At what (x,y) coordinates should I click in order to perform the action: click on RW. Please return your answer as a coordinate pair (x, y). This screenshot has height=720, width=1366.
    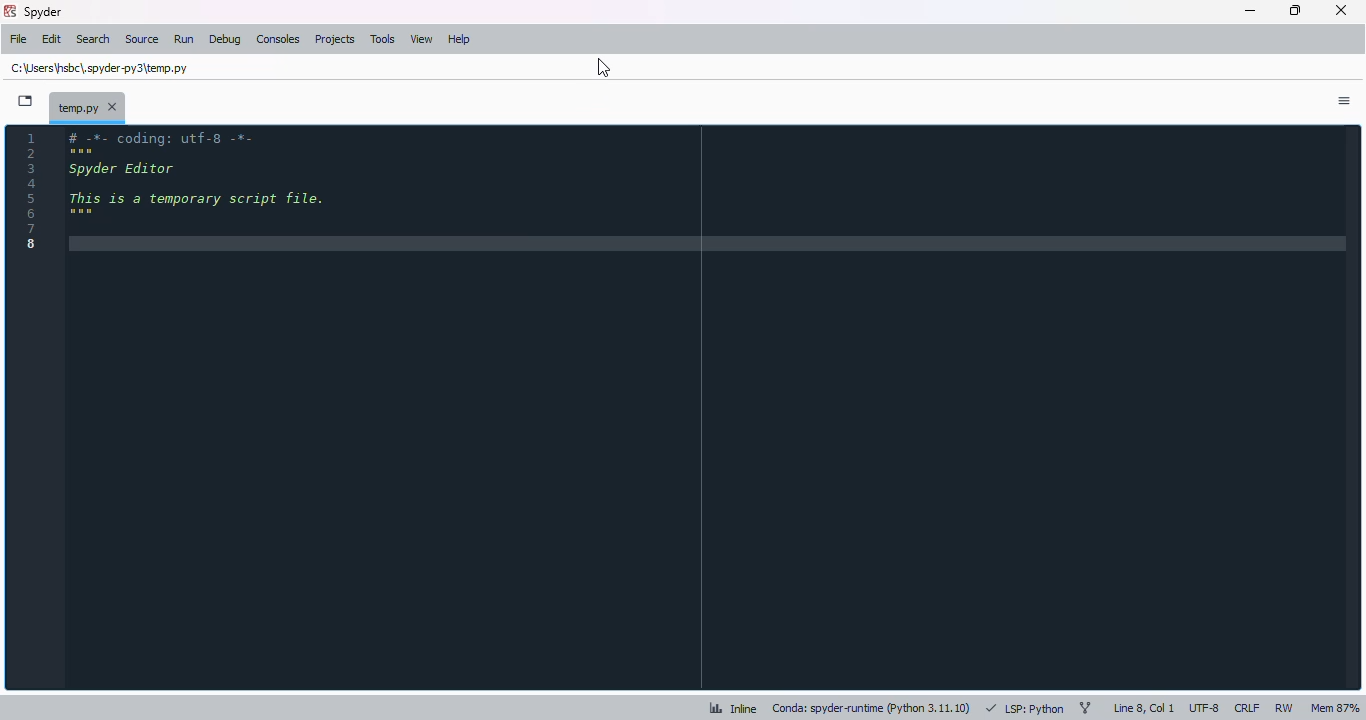
    Looking at the image, I should click on (1284, 708).